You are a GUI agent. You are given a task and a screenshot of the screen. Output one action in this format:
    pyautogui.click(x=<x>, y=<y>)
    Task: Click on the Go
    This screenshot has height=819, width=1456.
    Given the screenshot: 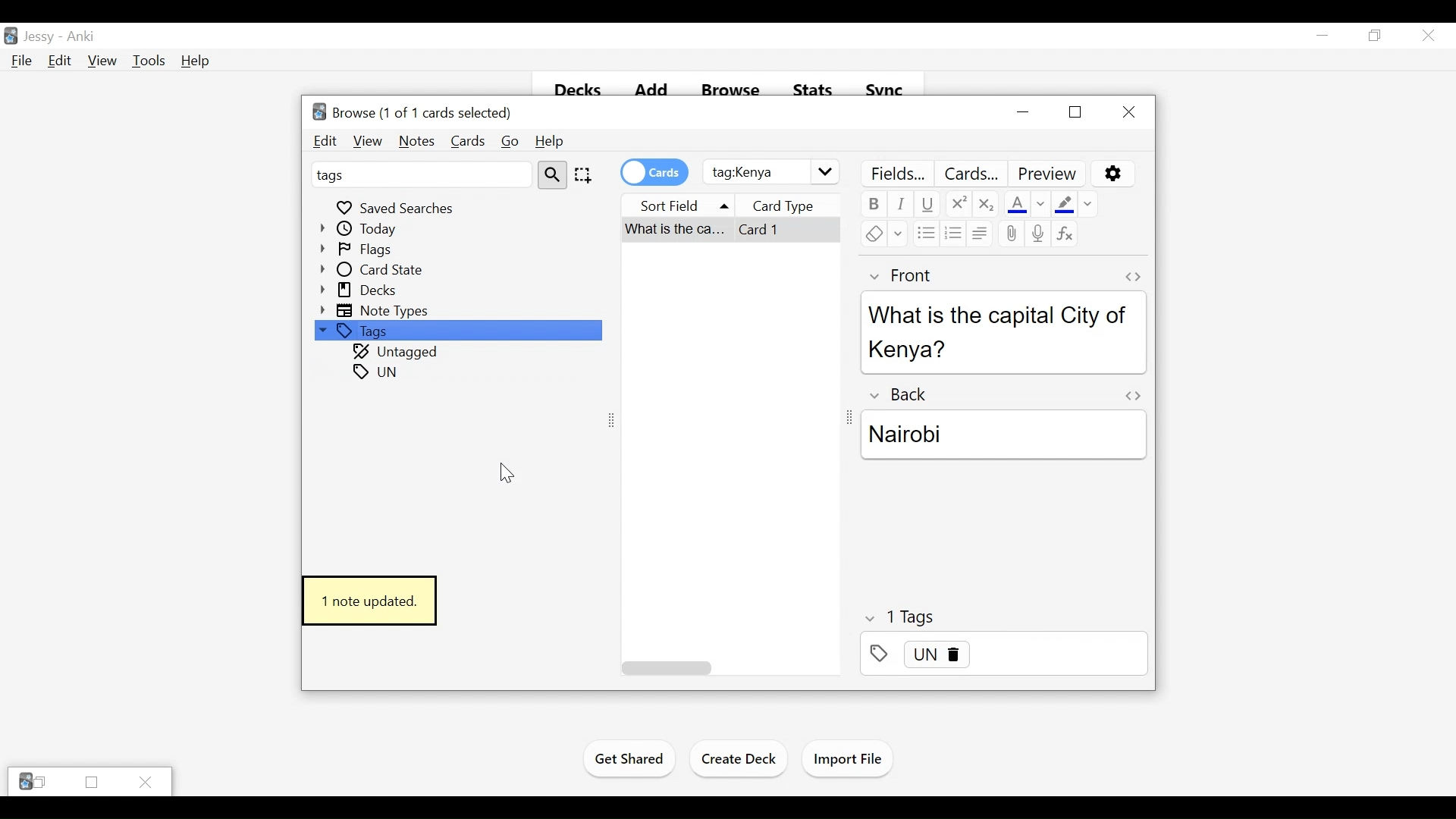 What is the action you would take?
    pyautogui.click(x=509, y=142)
    